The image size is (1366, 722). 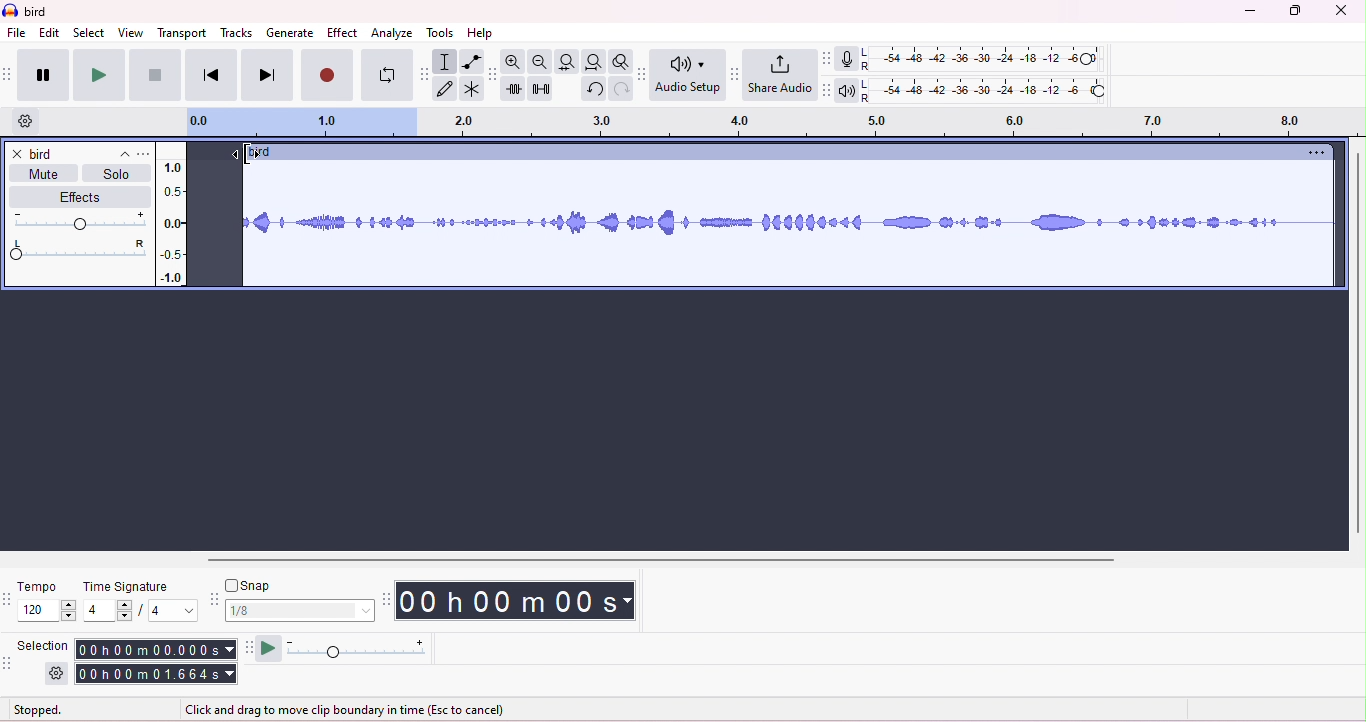 I want to click on time signature, so click(x=125, y=587).